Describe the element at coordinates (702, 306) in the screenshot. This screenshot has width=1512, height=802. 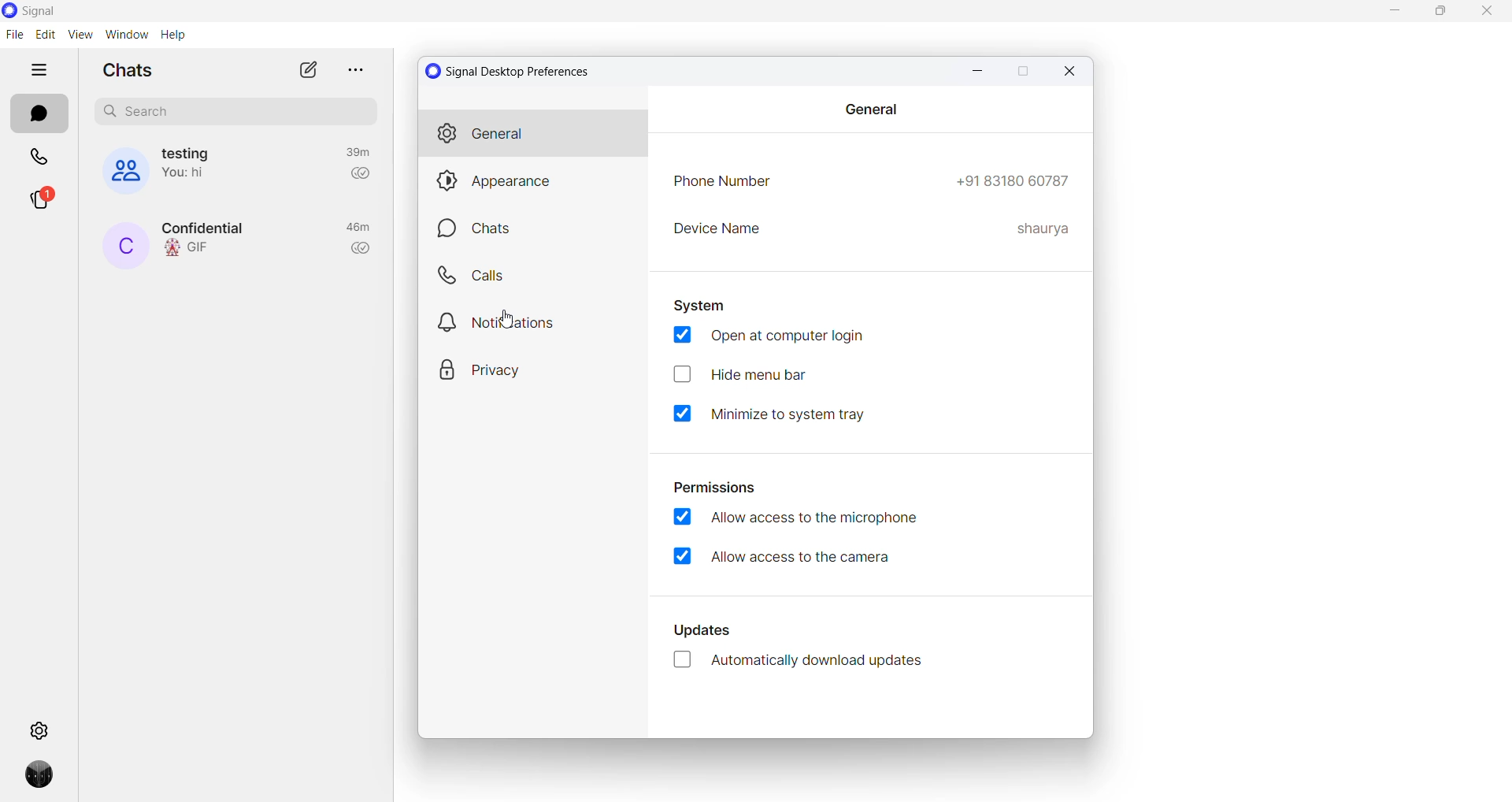
I see `system` at that location.